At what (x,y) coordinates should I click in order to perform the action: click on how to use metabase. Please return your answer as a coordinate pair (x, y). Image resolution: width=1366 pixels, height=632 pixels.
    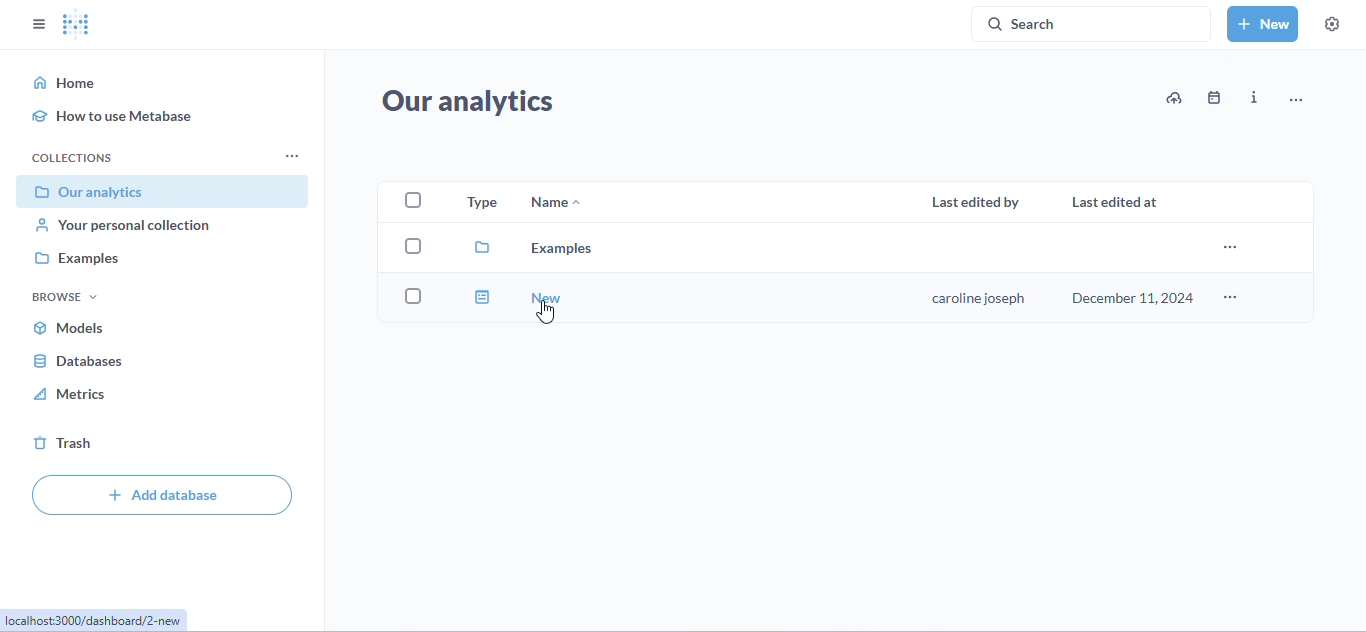
    Looking at the image, I should click on (113, 116).